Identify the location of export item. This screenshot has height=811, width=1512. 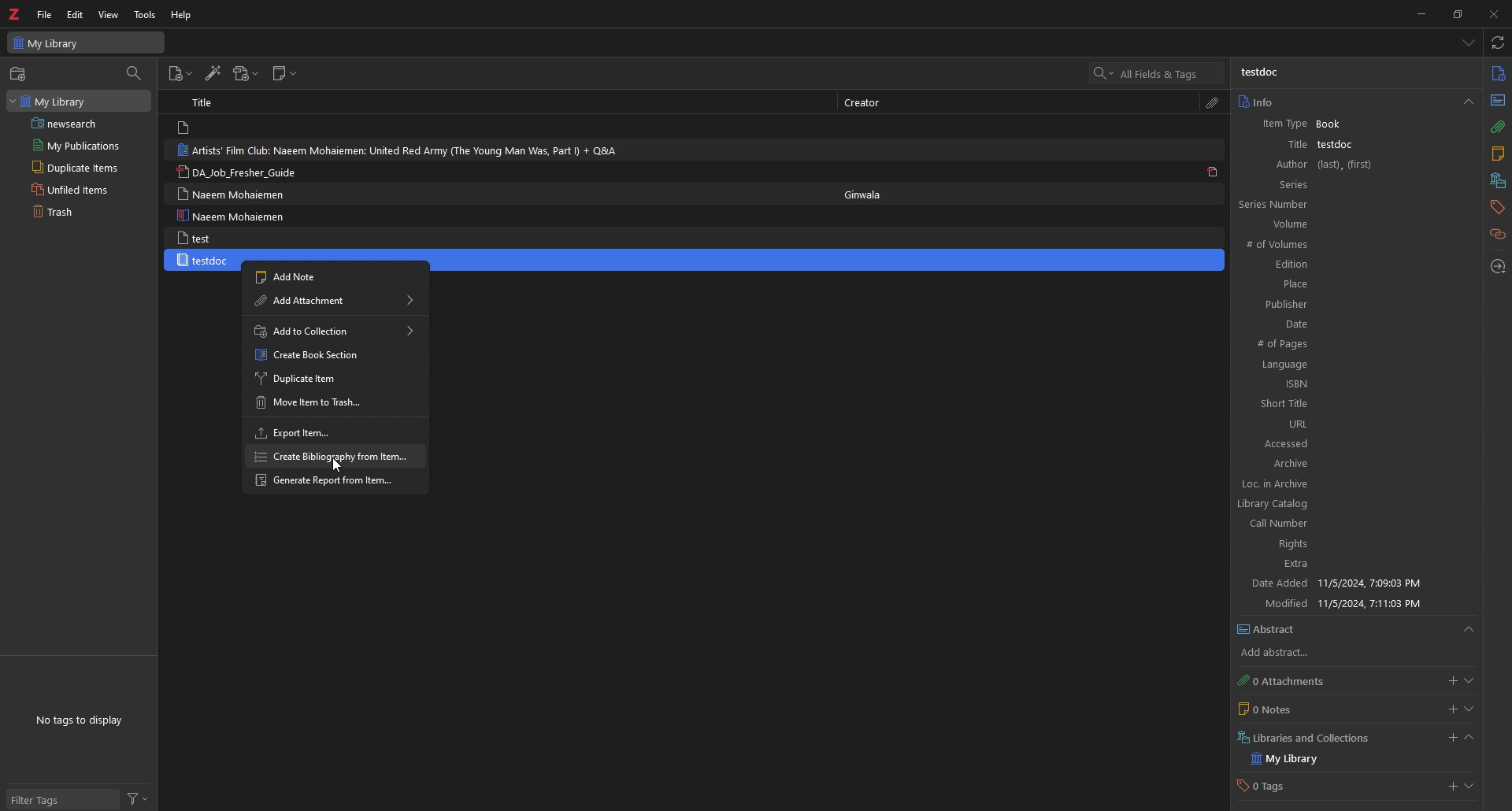
(331, 431).